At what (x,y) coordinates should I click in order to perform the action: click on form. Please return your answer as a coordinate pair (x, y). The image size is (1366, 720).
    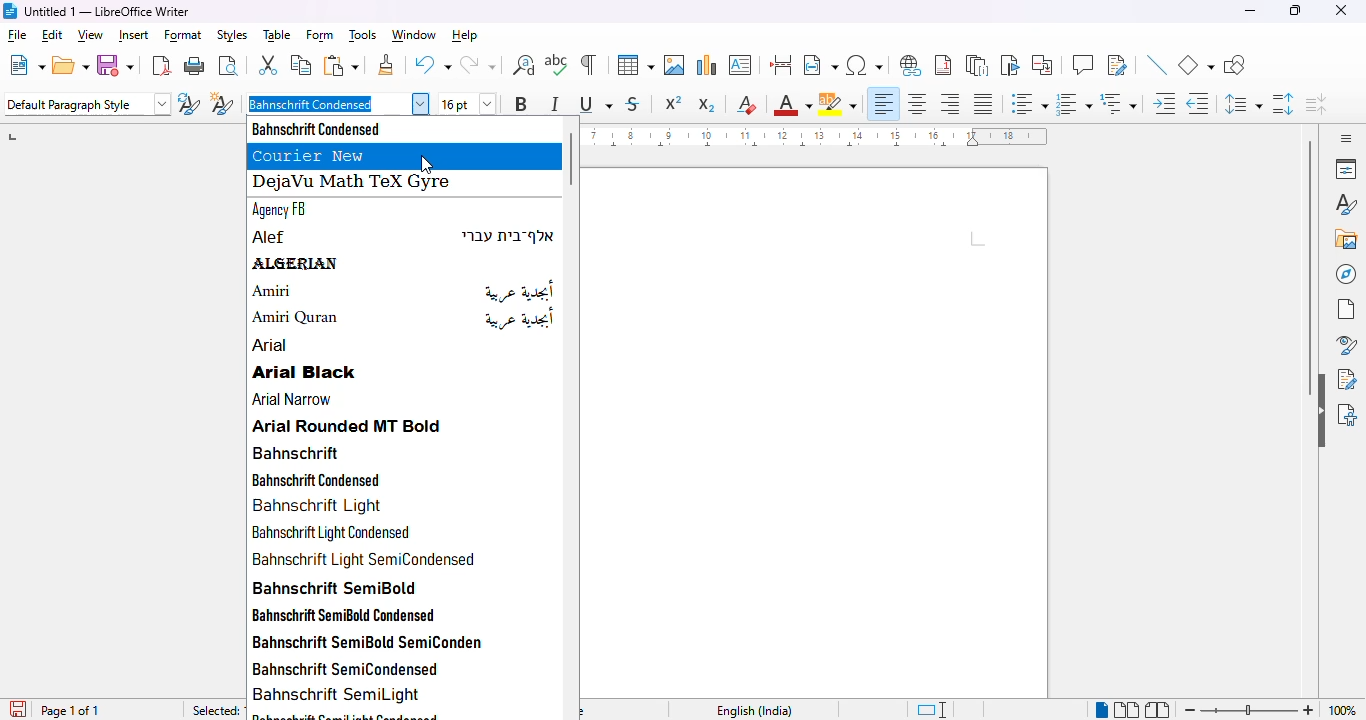
    Looking at the image, I should click on (321, 36).